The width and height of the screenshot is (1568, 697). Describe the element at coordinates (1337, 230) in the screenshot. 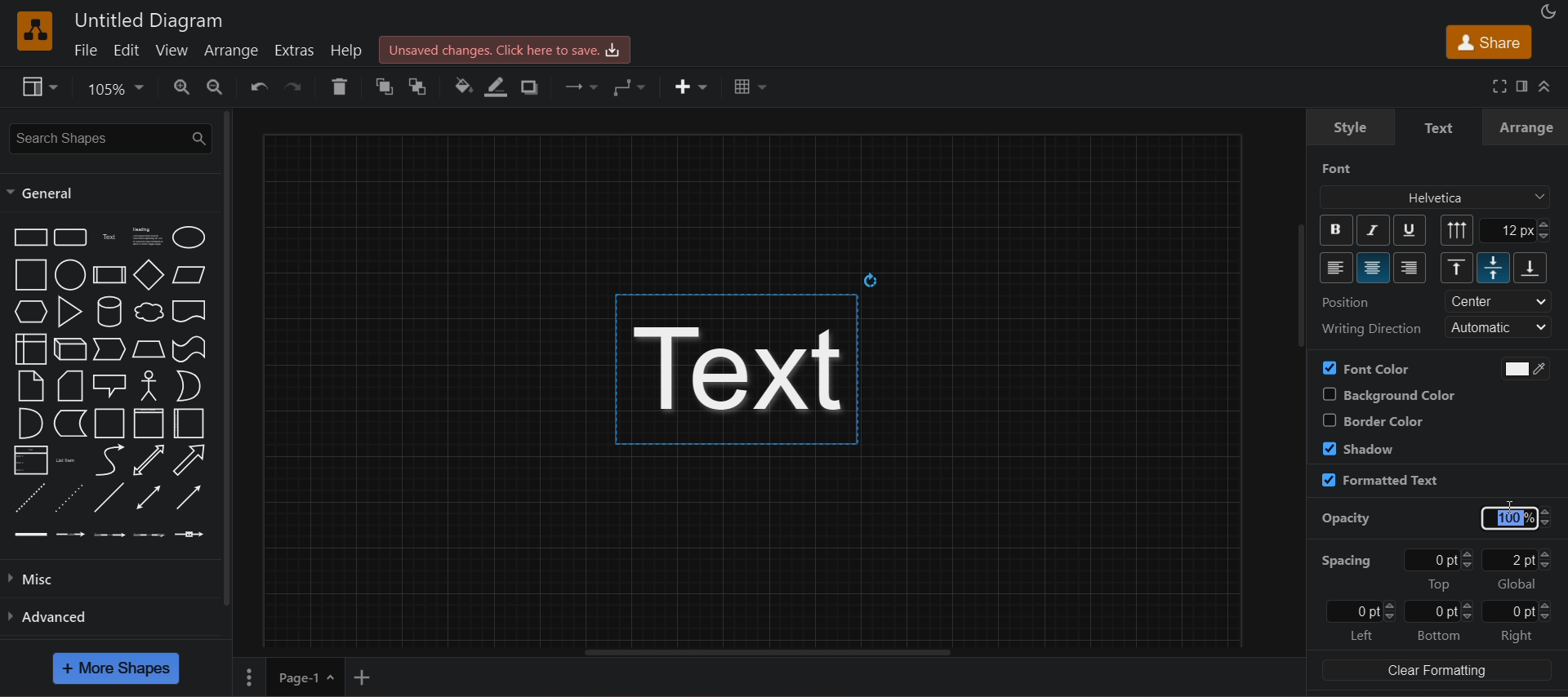

I see `bold` at that location.